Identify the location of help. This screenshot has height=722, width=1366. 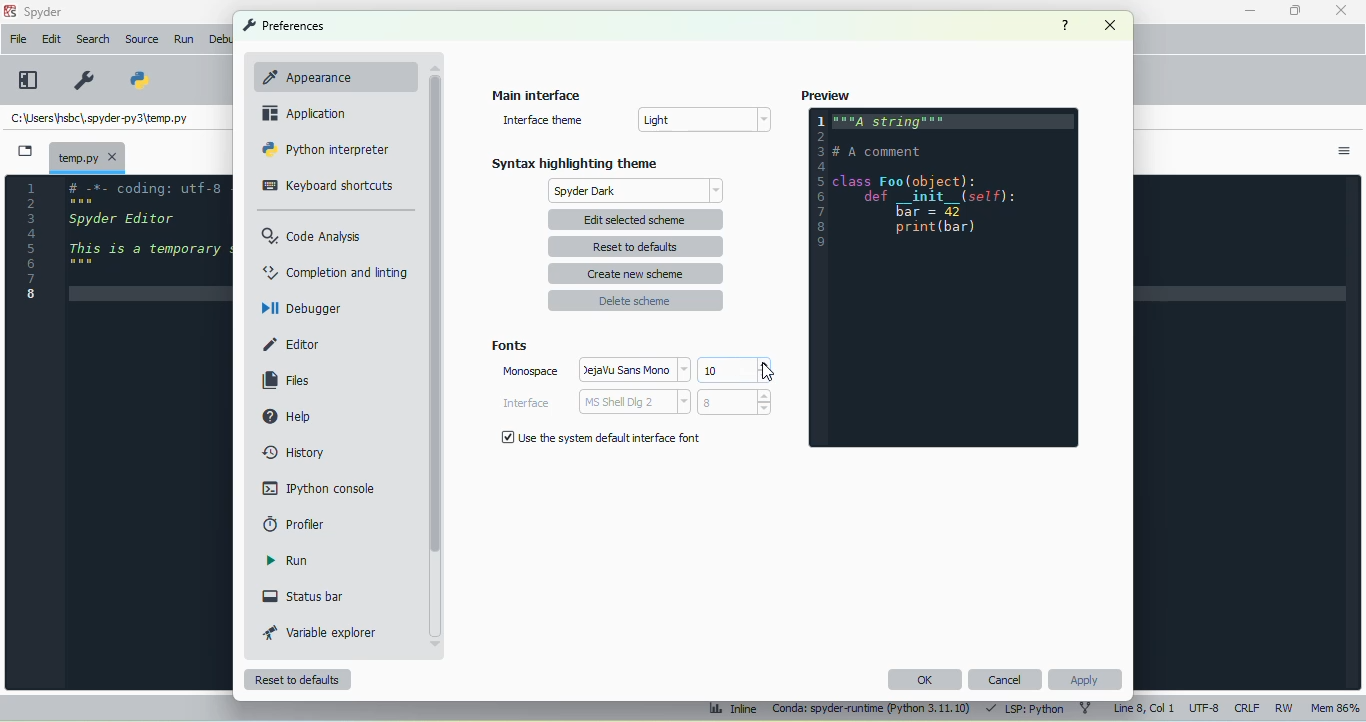
(285, 415).